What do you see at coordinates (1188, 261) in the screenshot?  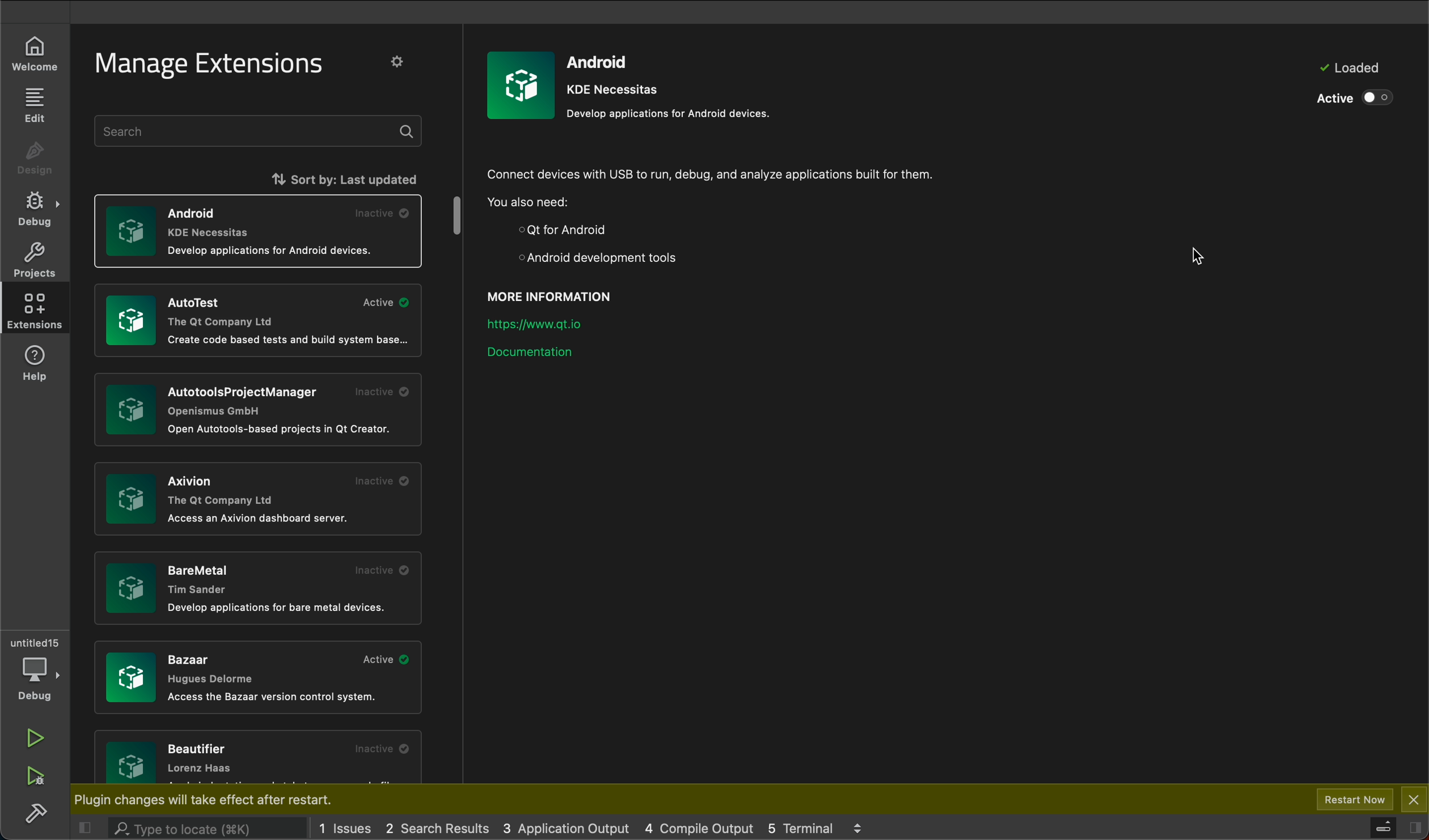 I see `cursor` at bounding box center [1188, 261].